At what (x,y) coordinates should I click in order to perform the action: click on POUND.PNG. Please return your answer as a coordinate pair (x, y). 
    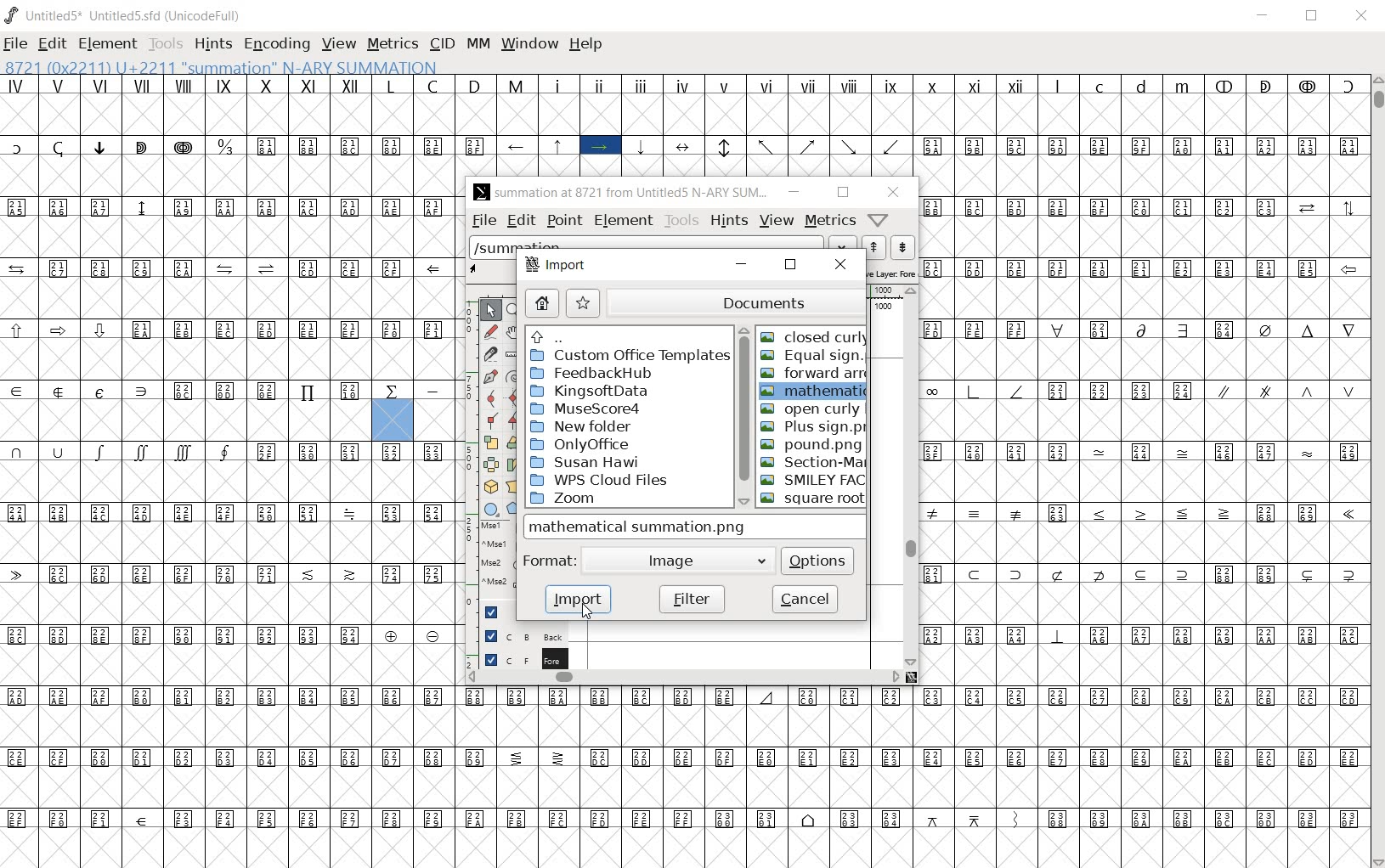
    Looking at the image, I should click on (811, 446).